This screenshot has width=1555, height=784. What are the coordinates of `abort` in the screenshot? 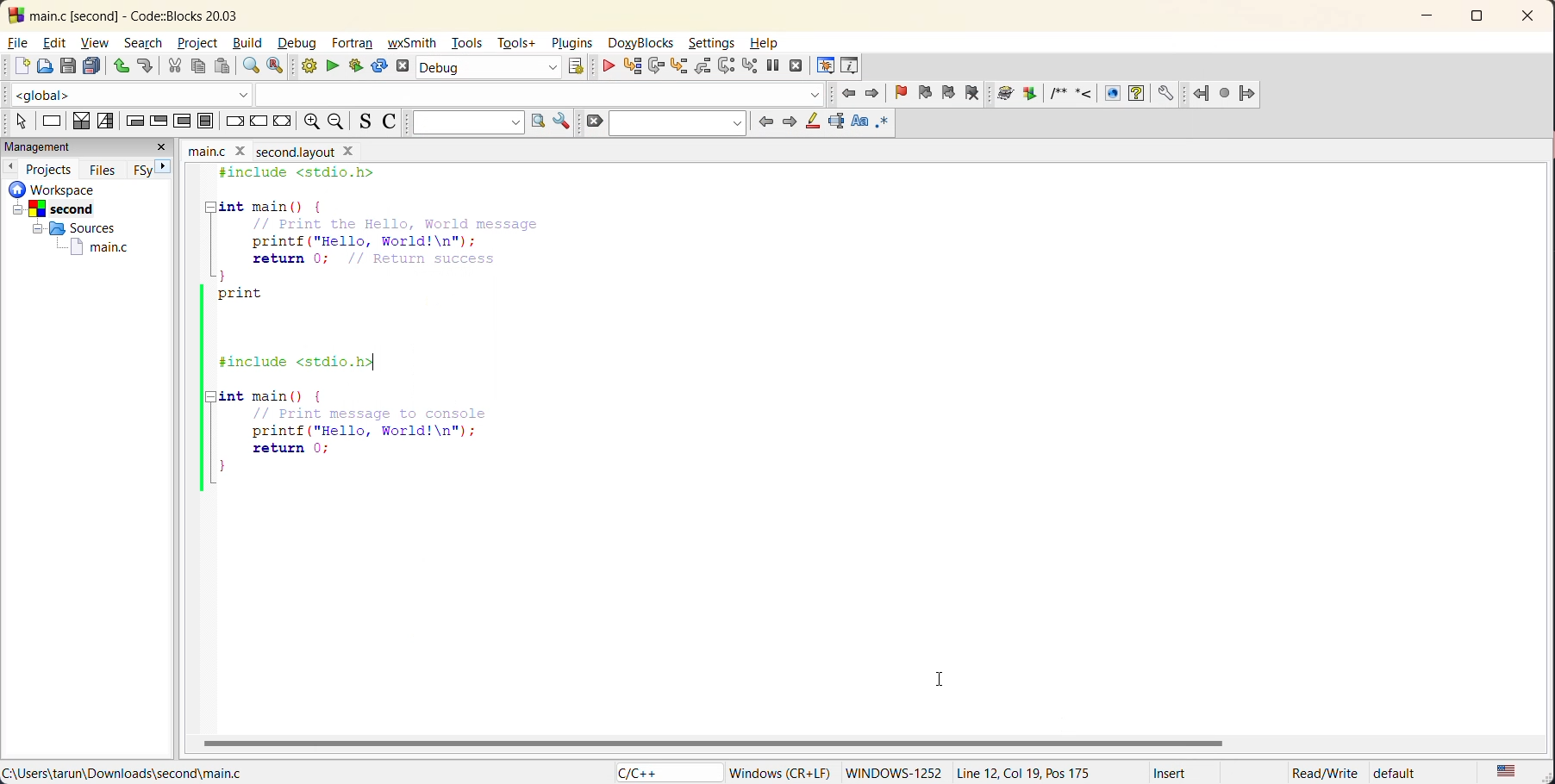 It's located at (403, 65).